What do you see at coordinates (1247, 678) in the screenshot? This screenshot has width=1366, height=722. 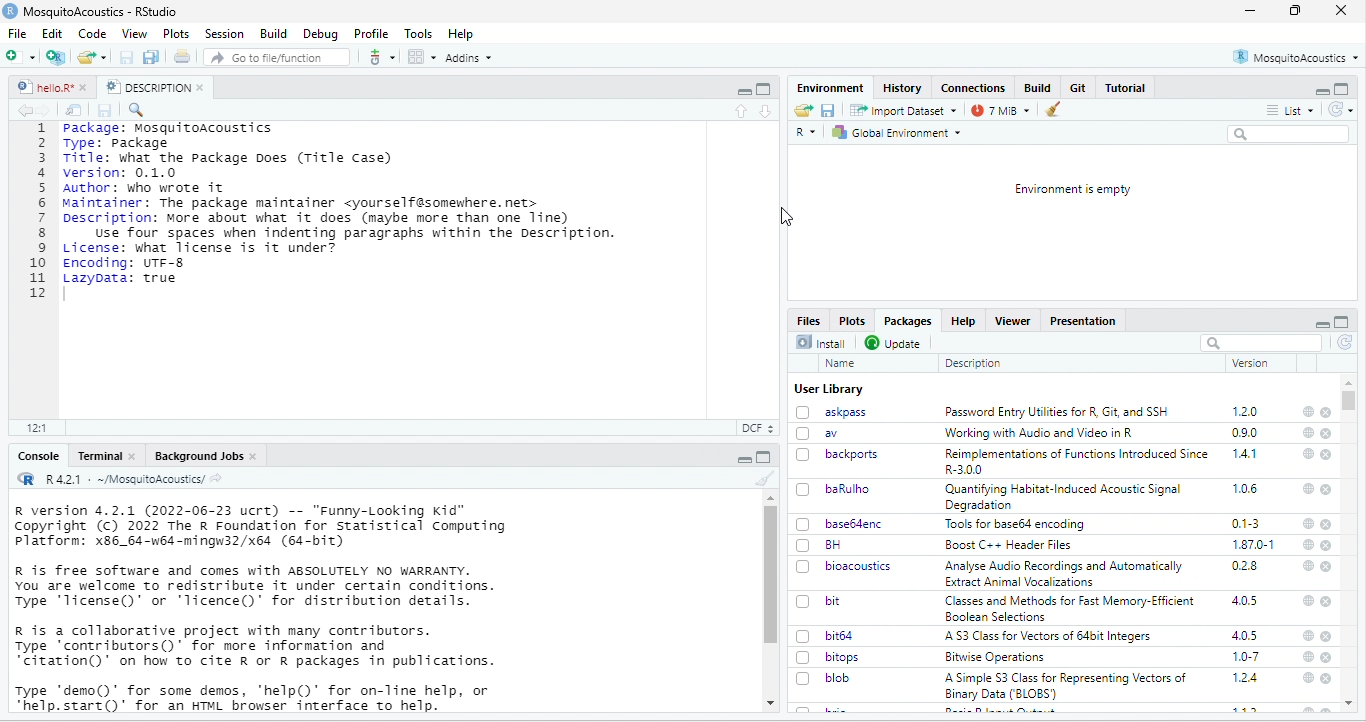 I see `1.2.4` at bounding box center [1247, 678].